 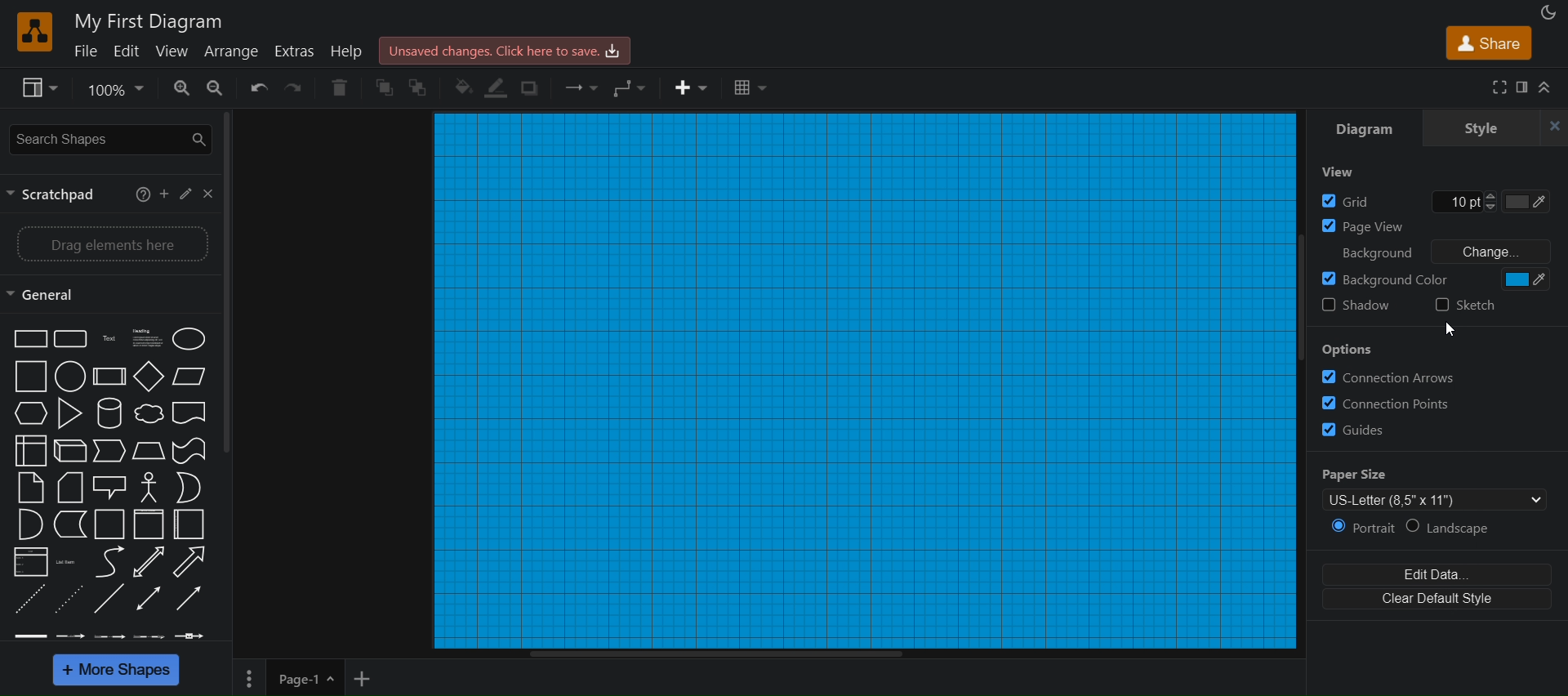 I want to click on grid, so click(x=1433, y=199).